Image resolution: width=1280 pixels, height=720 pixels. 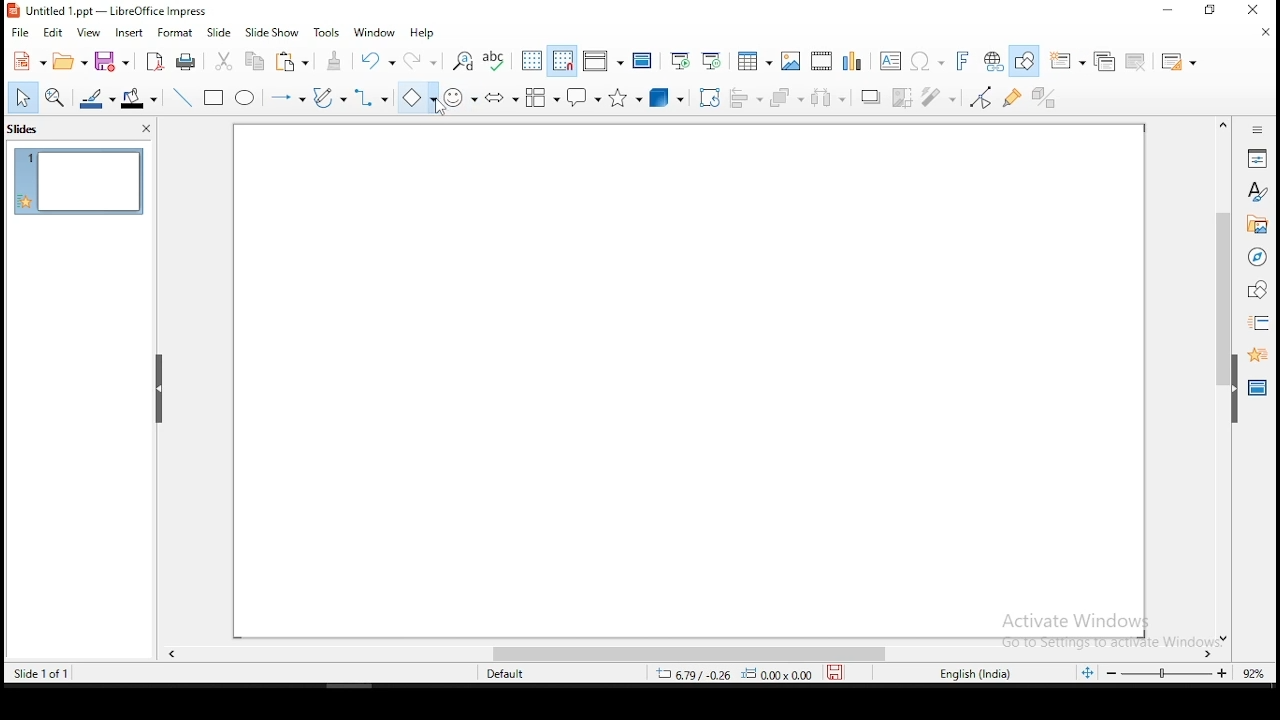 I want to click on hyperlink, so click(x=991, y=60).